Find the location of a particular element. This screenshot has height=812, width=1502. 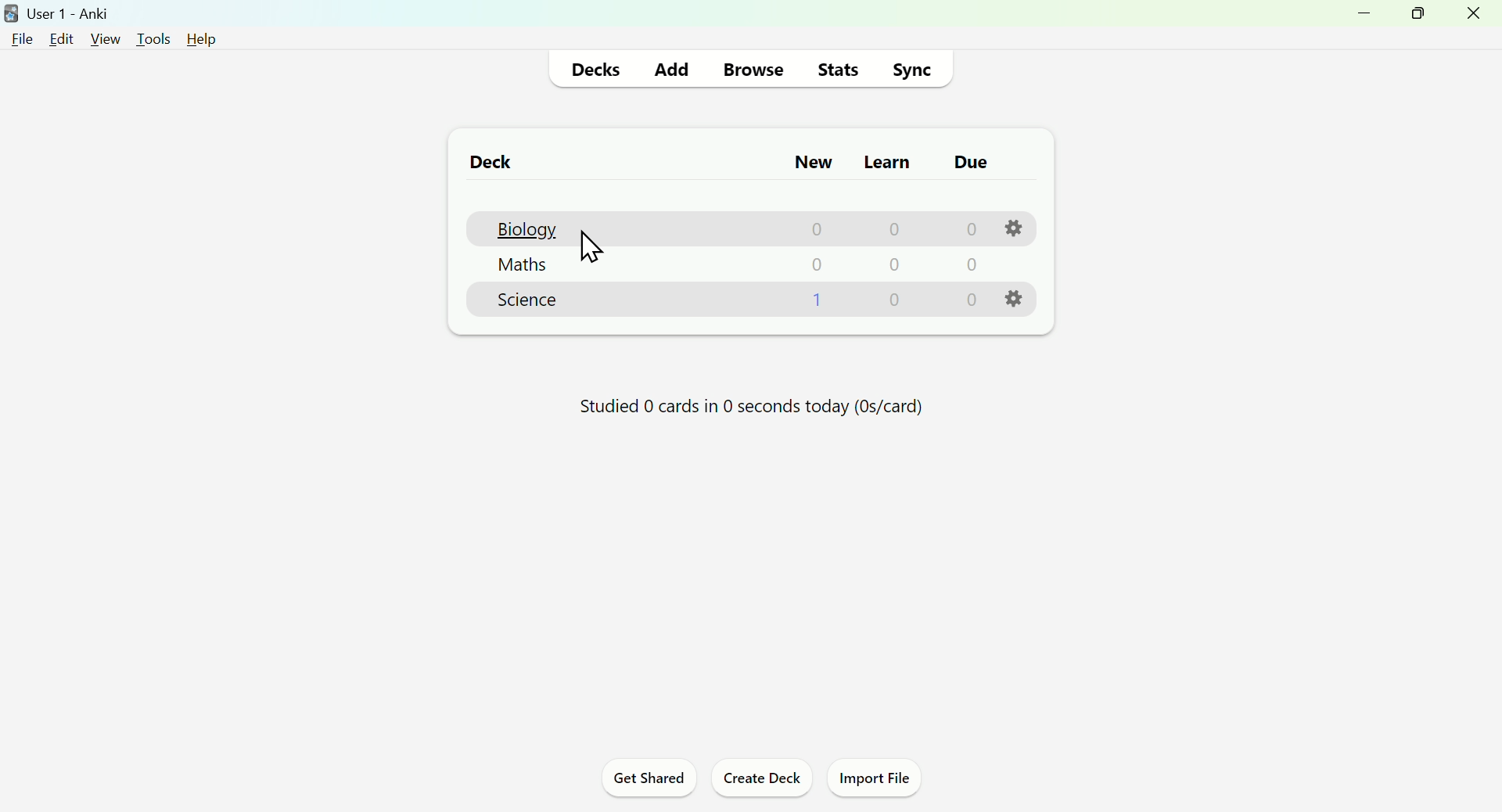

settingd is located at coordinates (1010, 227).